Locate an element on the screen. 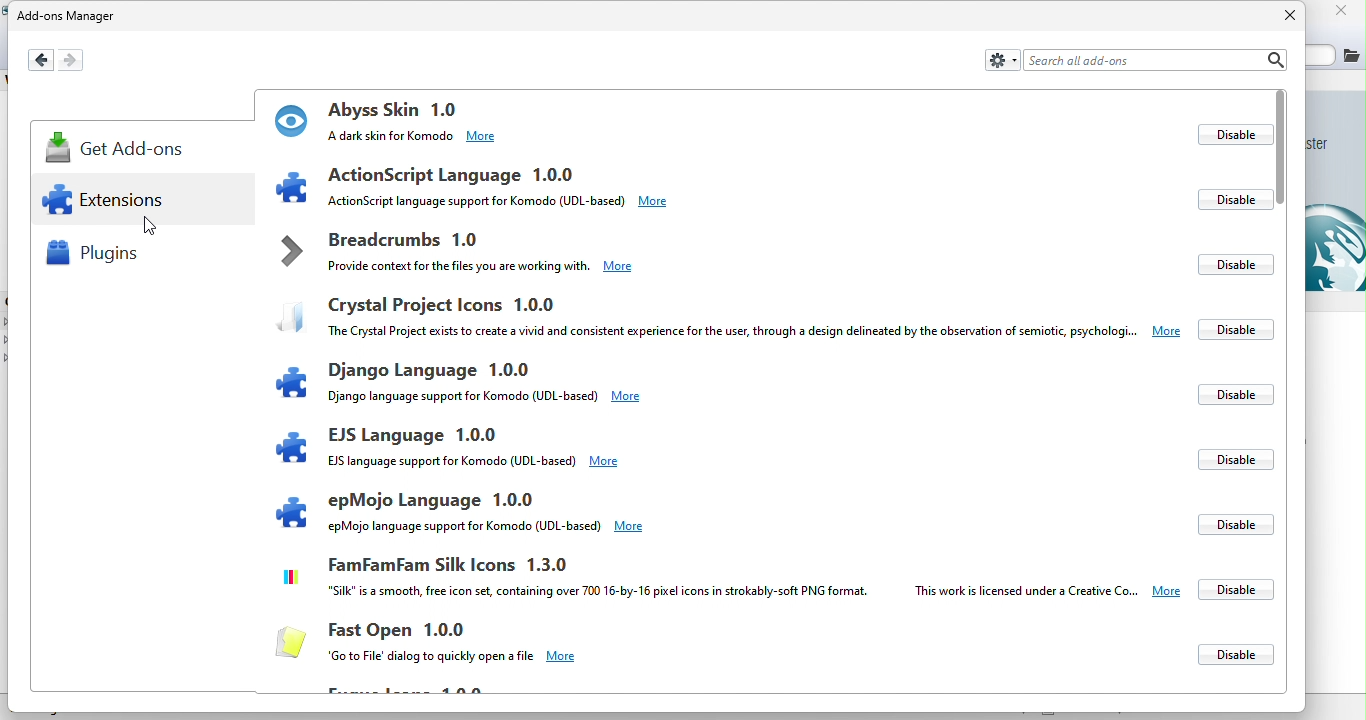 The width and height of the screenshot is (1366, 720). disable is located at coordinates (1233, 656).